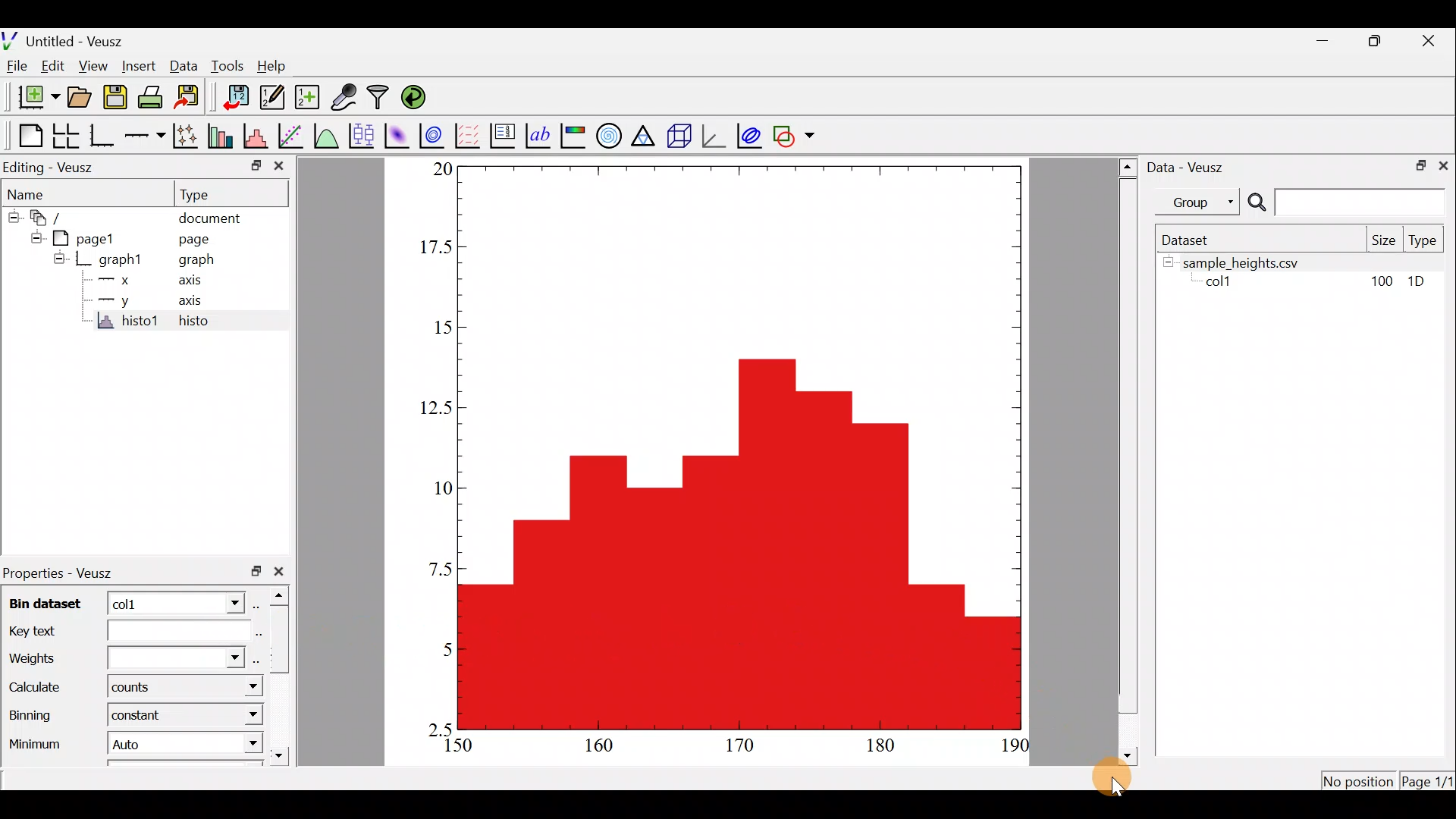  What do you see at coordinates (63, 40) in the screenshot?
I see `Untitled - Veusz` at bounding box center [63, 40].